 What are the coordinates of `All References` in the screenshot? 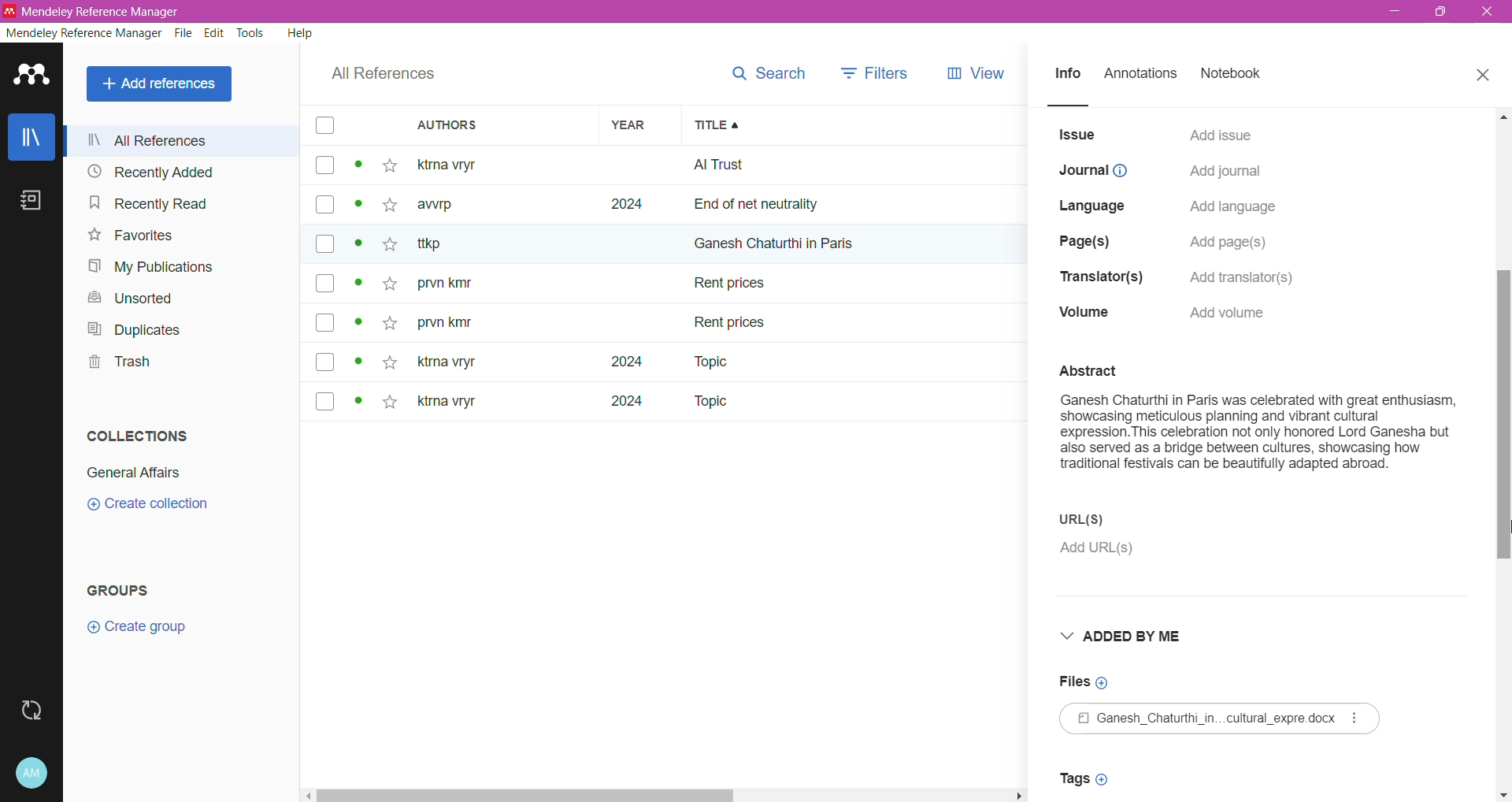 It's located at (380, 76).